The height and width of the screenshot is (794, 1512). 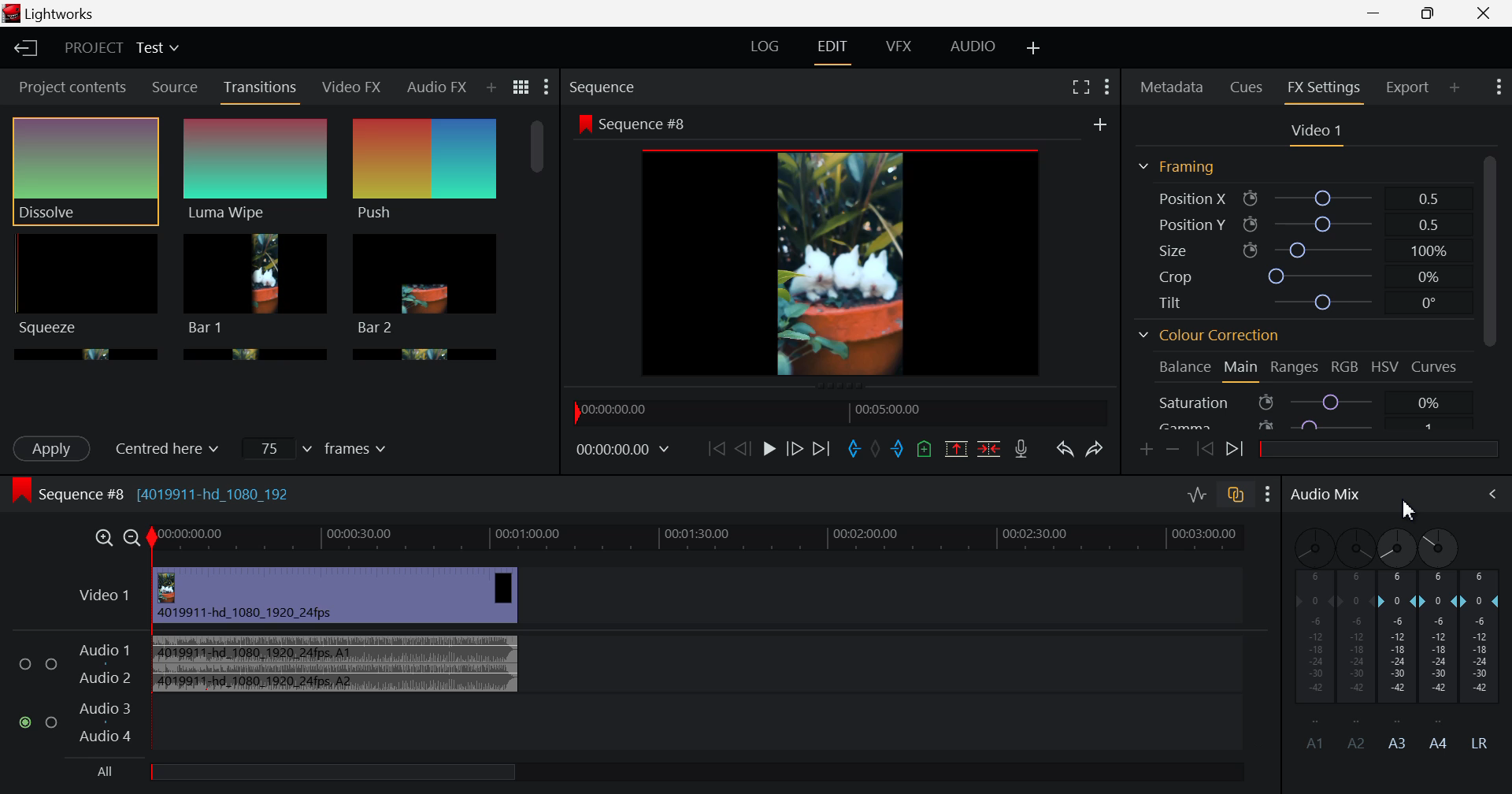 I want to click on Video Settings, so click(x=1317, y=135).